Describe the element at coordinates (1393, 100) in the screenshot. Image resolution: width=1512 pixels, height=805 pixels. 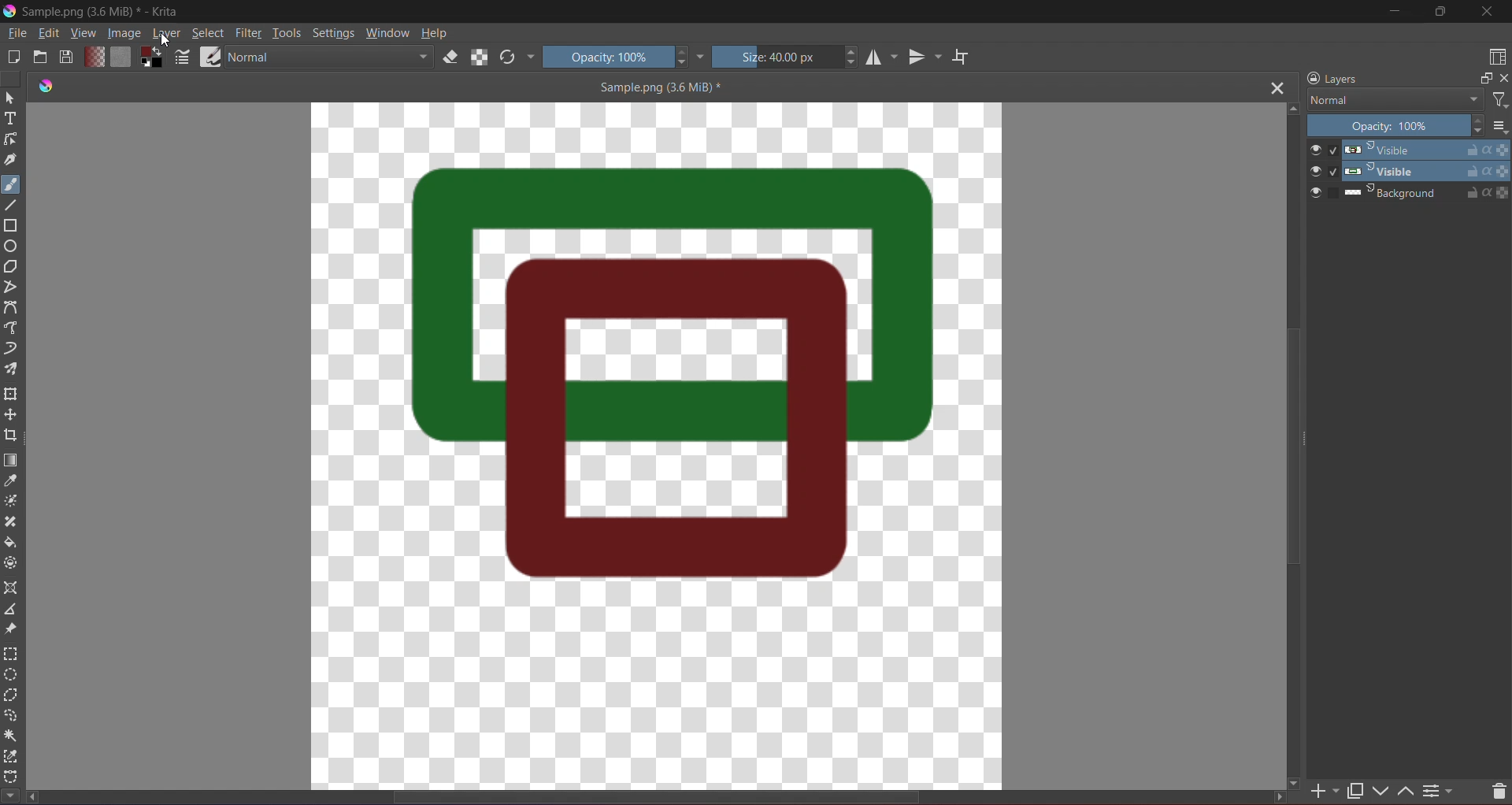
I see `Blending Mode` at that location.